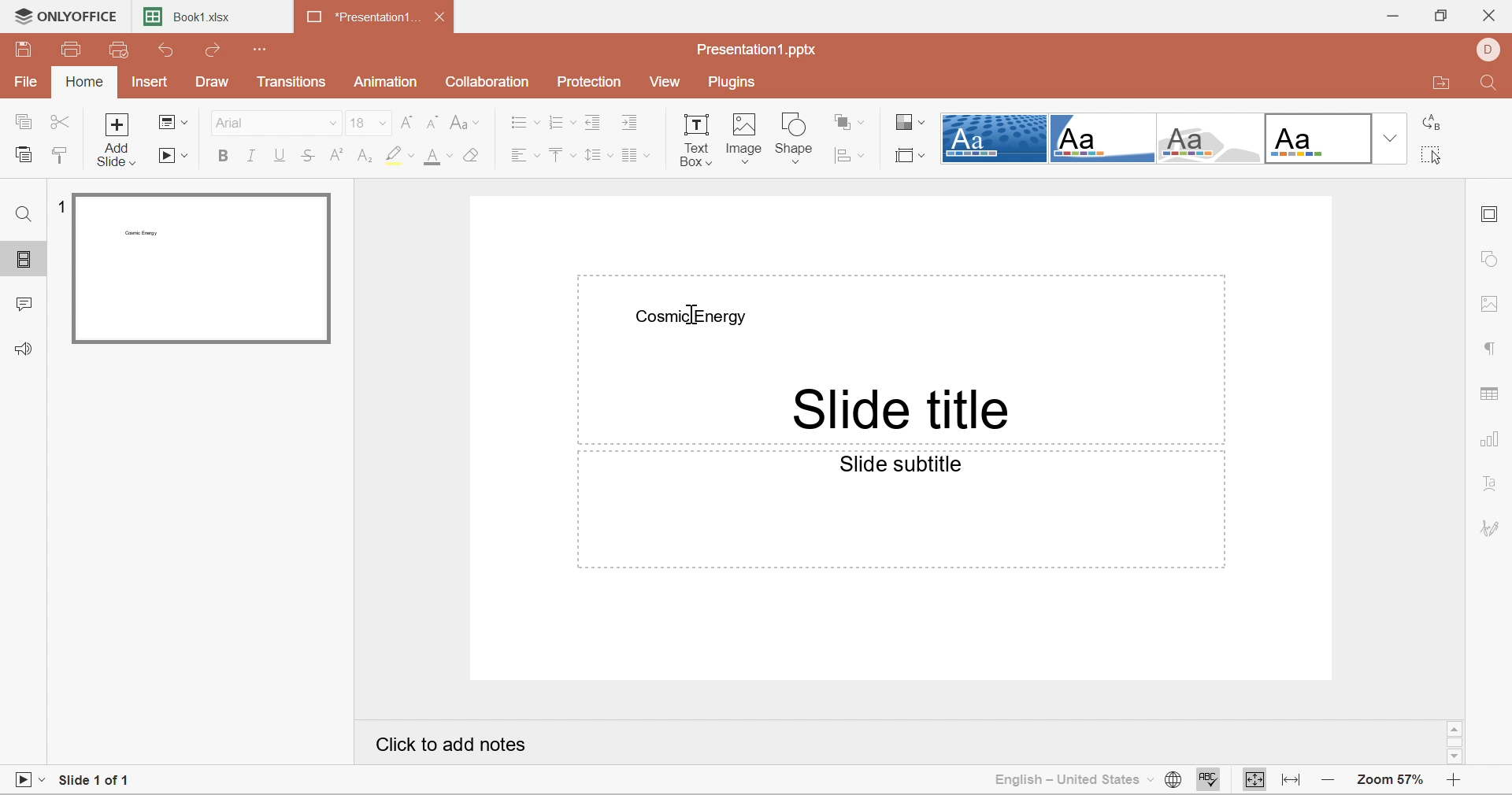 The height and width of the screenshot is (795, 1512). What do you see at coordinates (591, 121) in the screenshot?
I see `Decrease Indent` at bounding box center [591, 121].